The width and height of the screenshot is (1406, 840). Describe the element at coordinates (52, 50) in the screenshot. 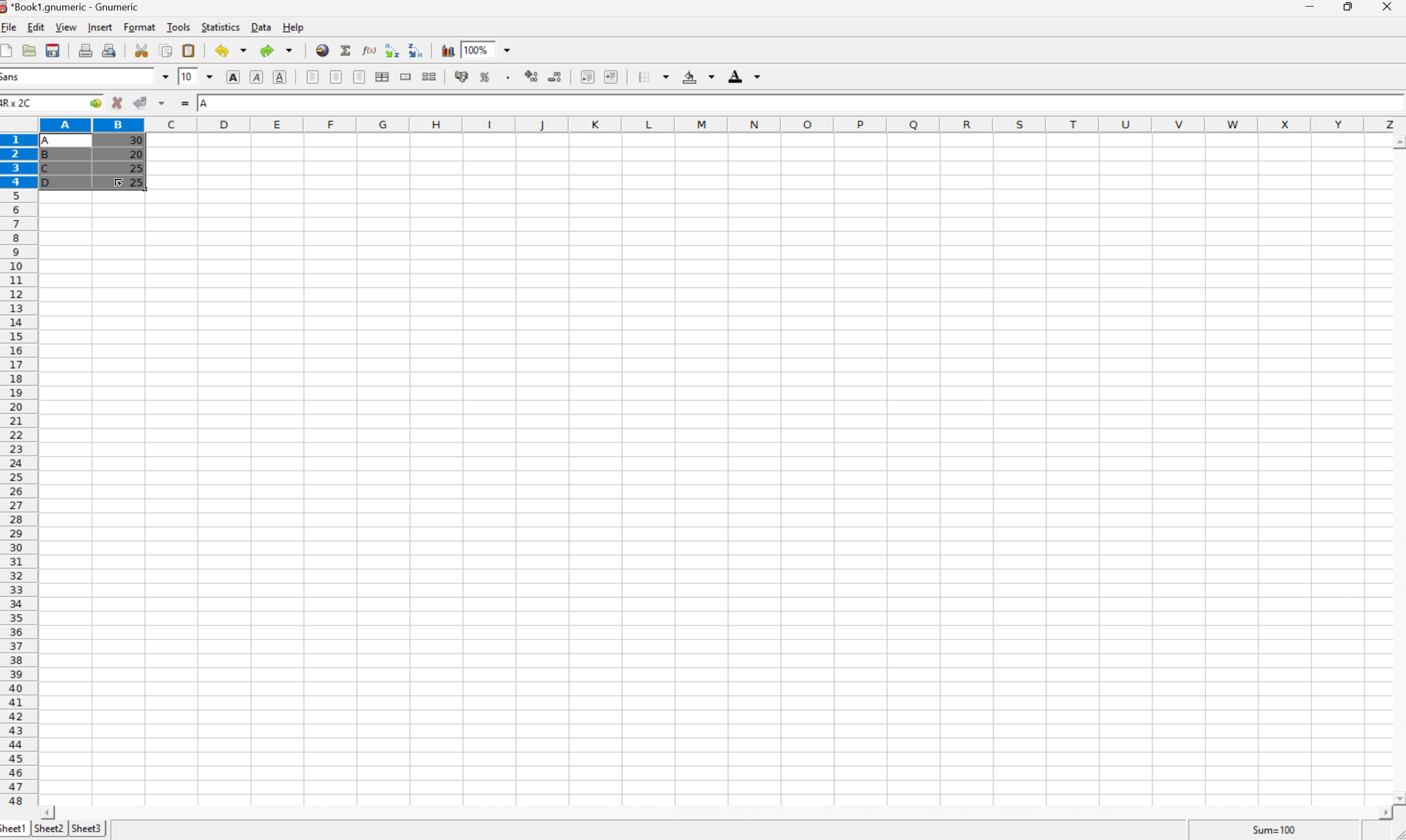

I see `Save the current workbook` at that location.